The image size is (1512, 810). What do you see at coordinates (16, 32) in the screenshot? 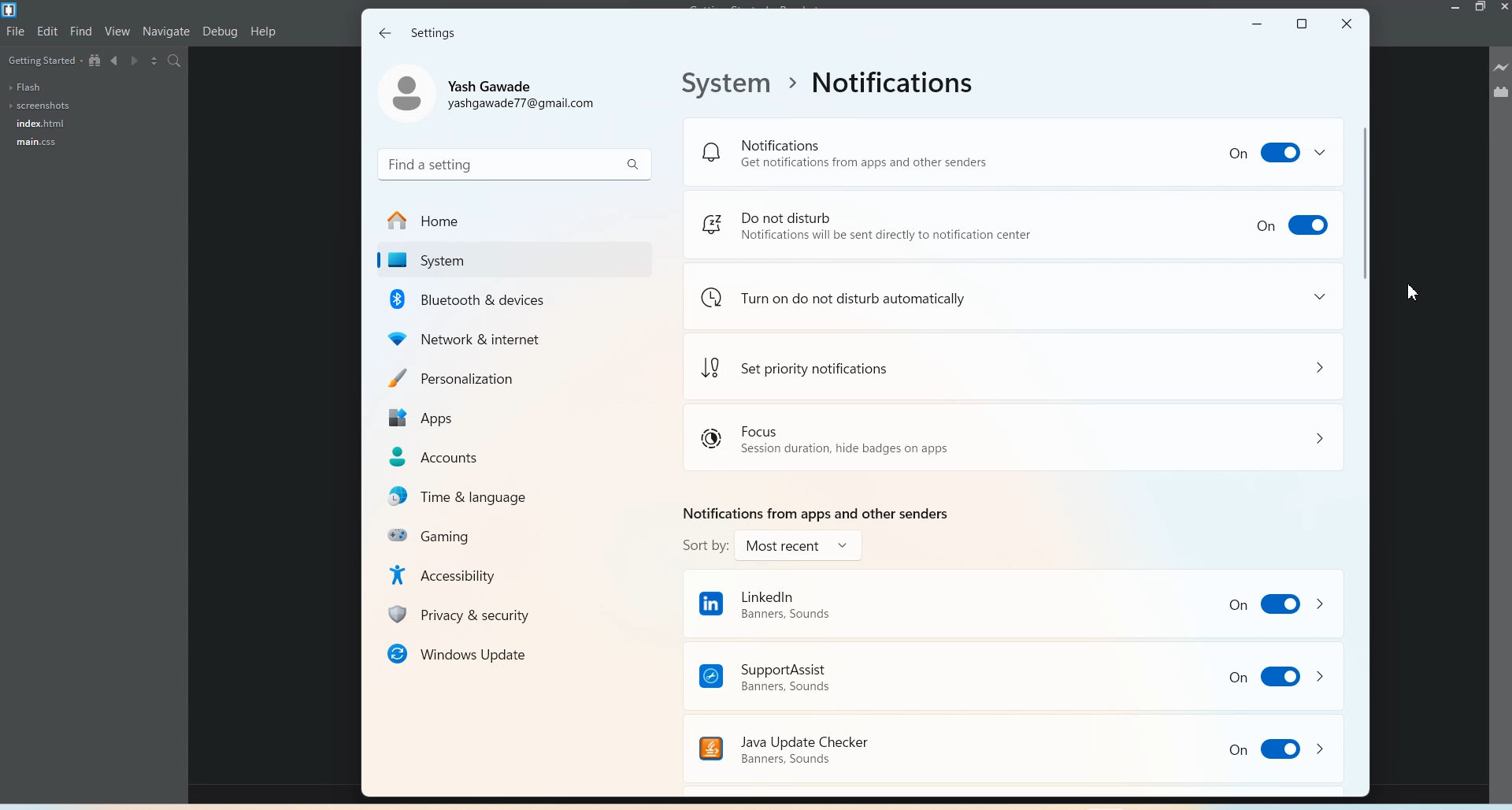
I see `File` at bounding box center [16, 32].